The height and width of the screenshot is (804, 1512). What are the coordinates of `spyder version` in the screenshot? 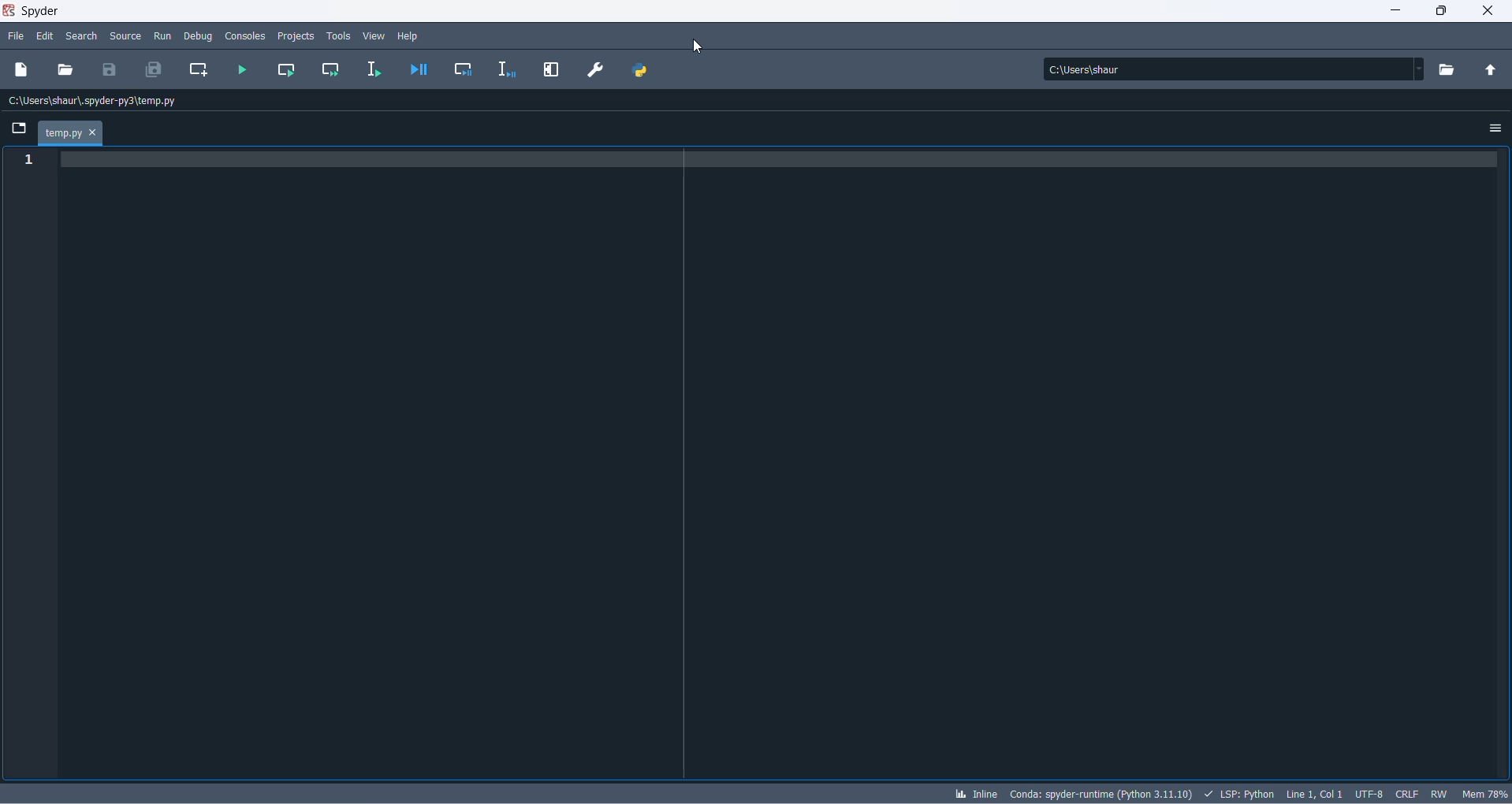 It's located at (1104, 791).